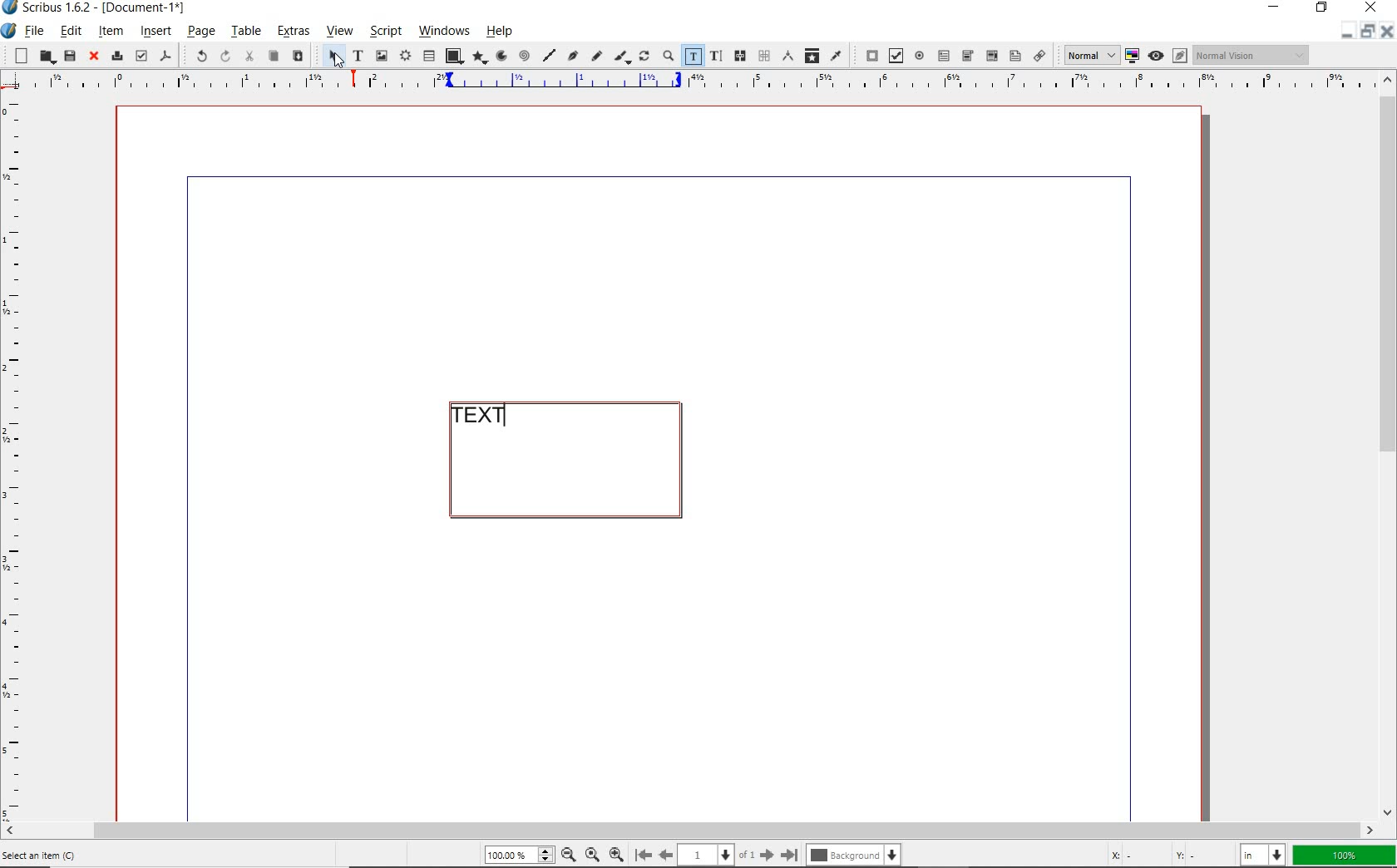  Describe the element at coordinates (1156, 56) in the screenshot. I see `preview mode` at that location.